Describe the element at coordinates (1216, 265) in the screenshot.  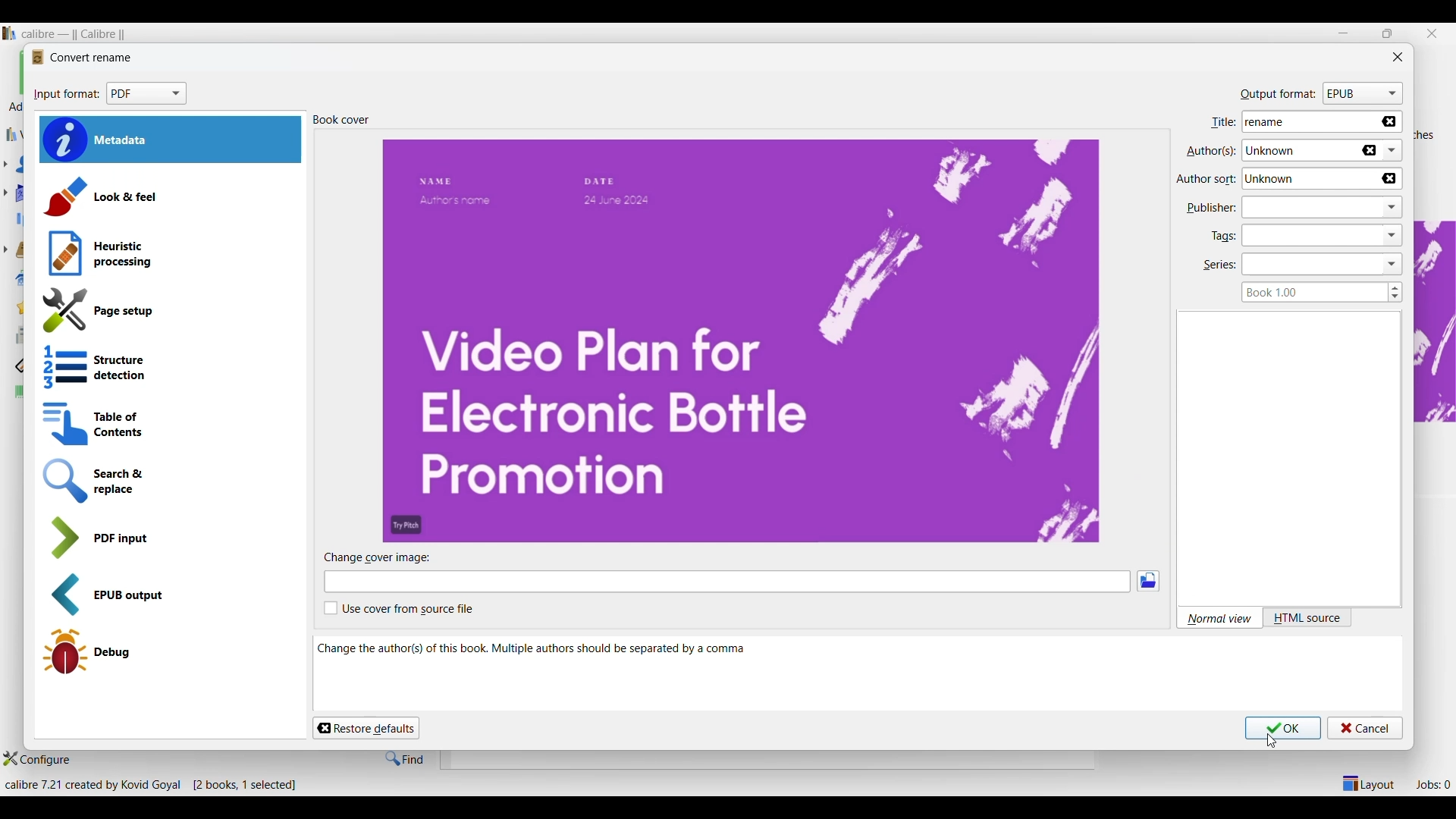
I see `series` at that location.